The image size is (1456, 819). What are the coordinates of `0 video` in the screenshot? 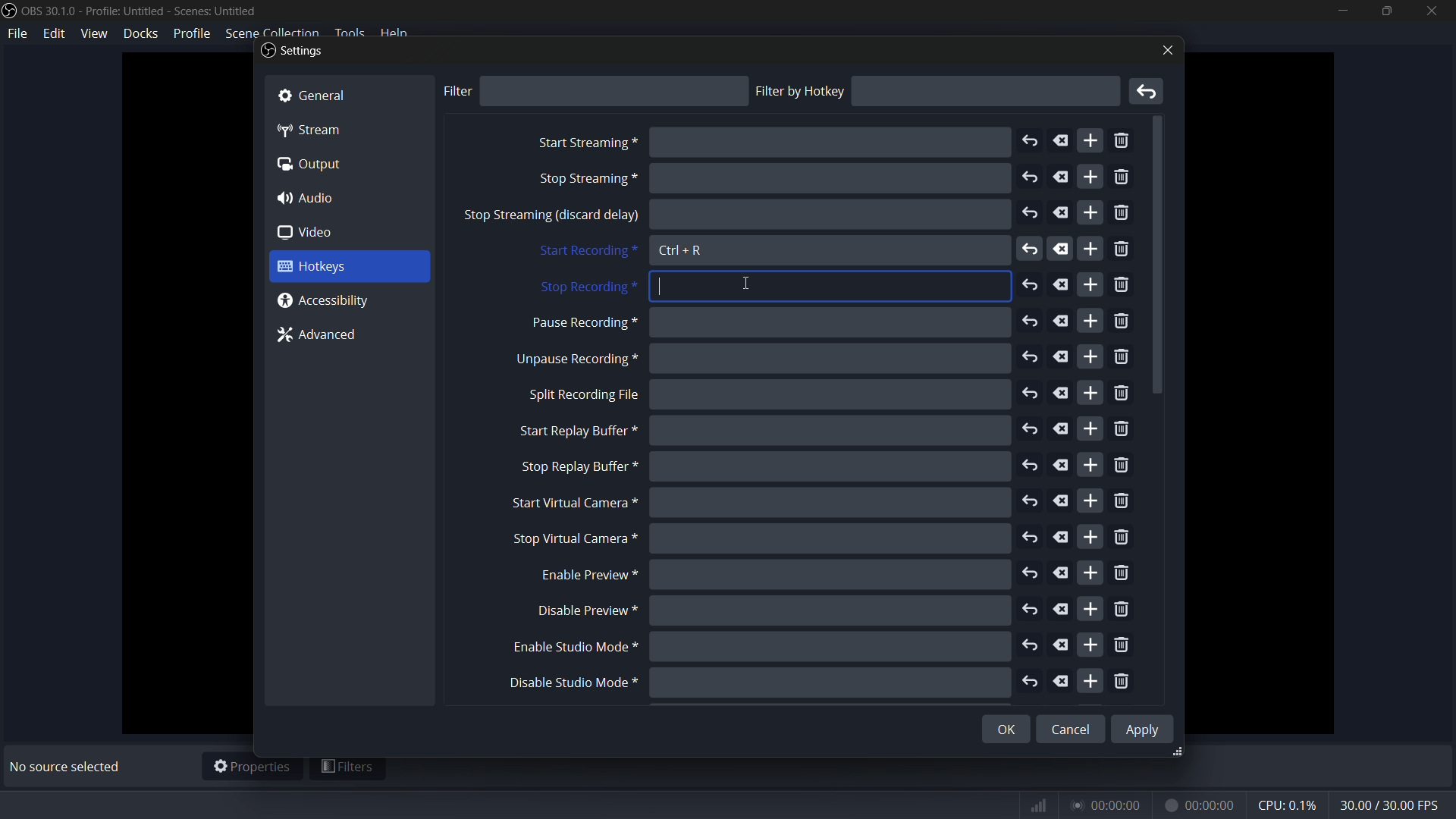 It's located at (316, 233).